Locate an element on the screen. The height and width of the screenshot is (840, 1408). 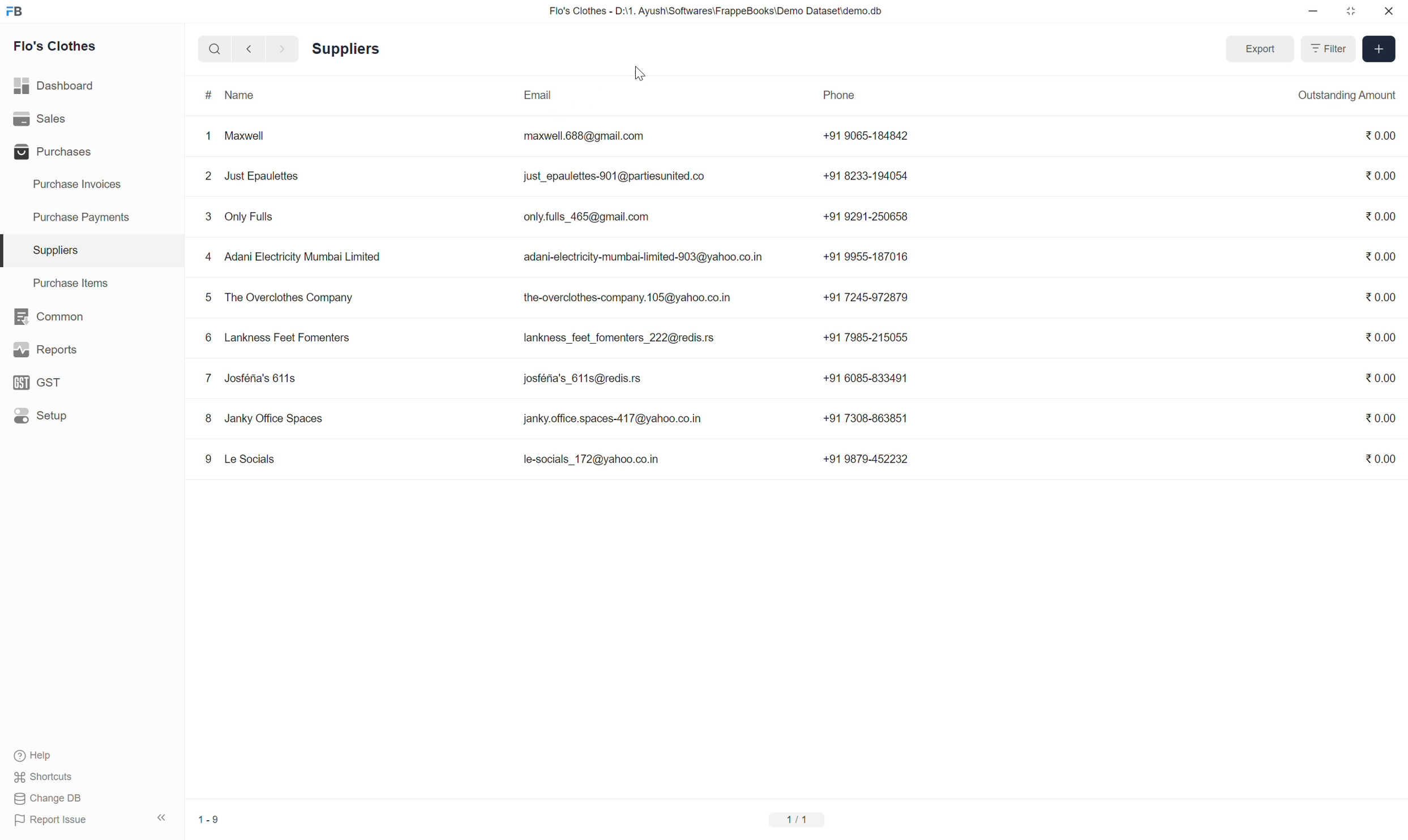
Common is located at coordinates (50, 317).